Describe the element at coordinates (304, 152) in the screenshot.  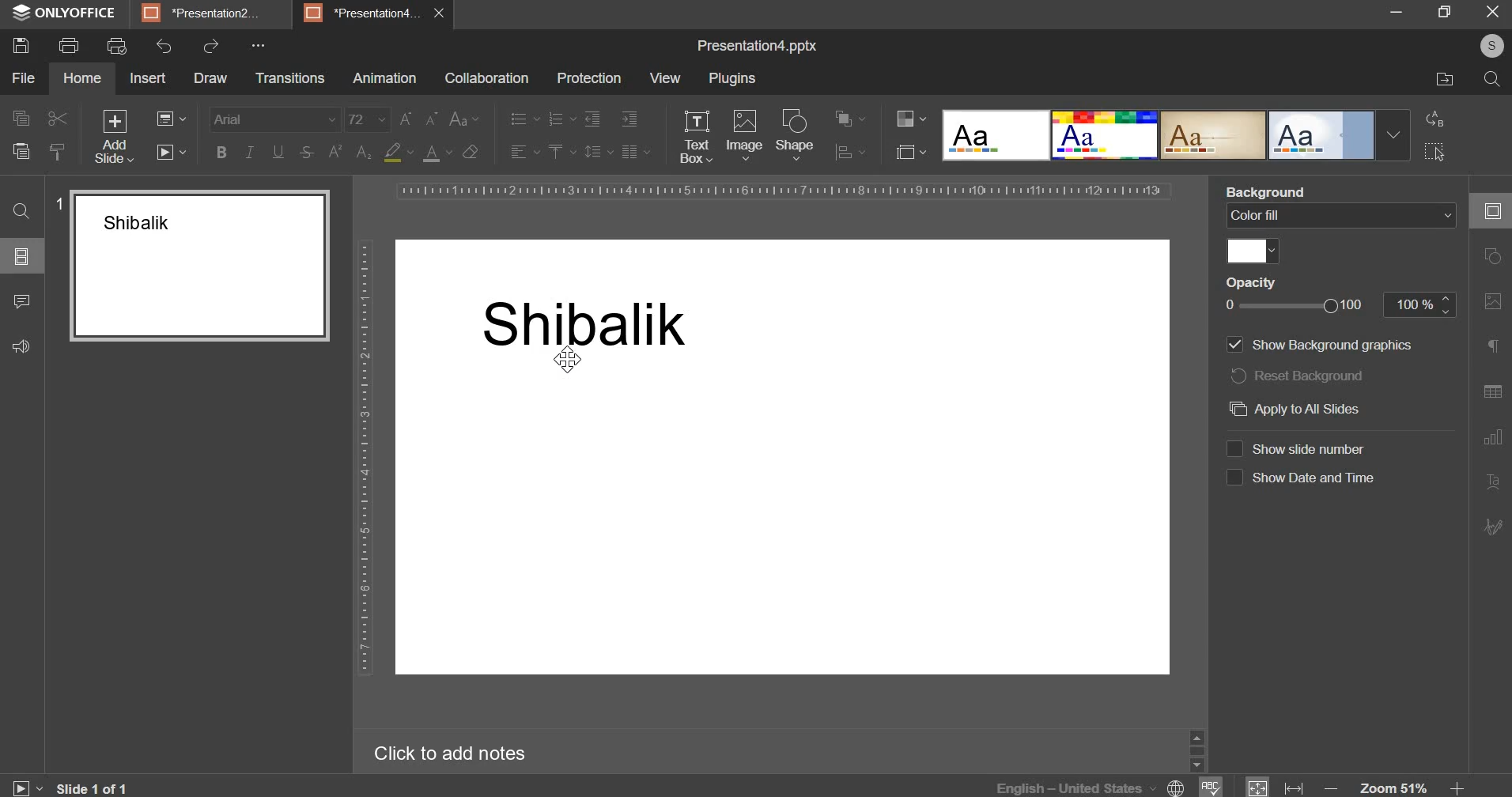
I see `strikethrough` at that location.